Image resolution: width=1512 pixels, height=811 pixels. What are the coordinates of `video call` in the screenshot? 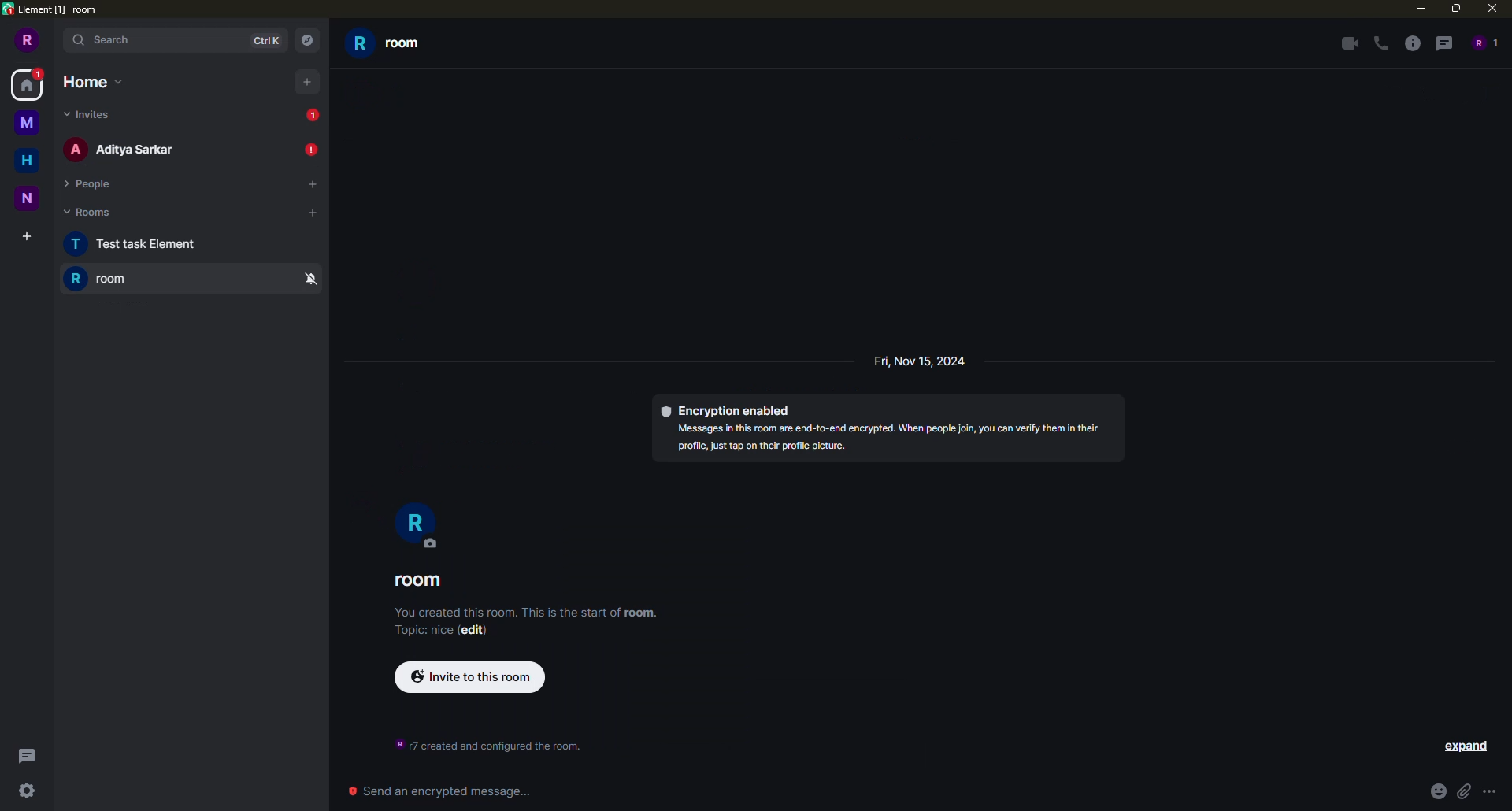 It's located at (1346, 43).